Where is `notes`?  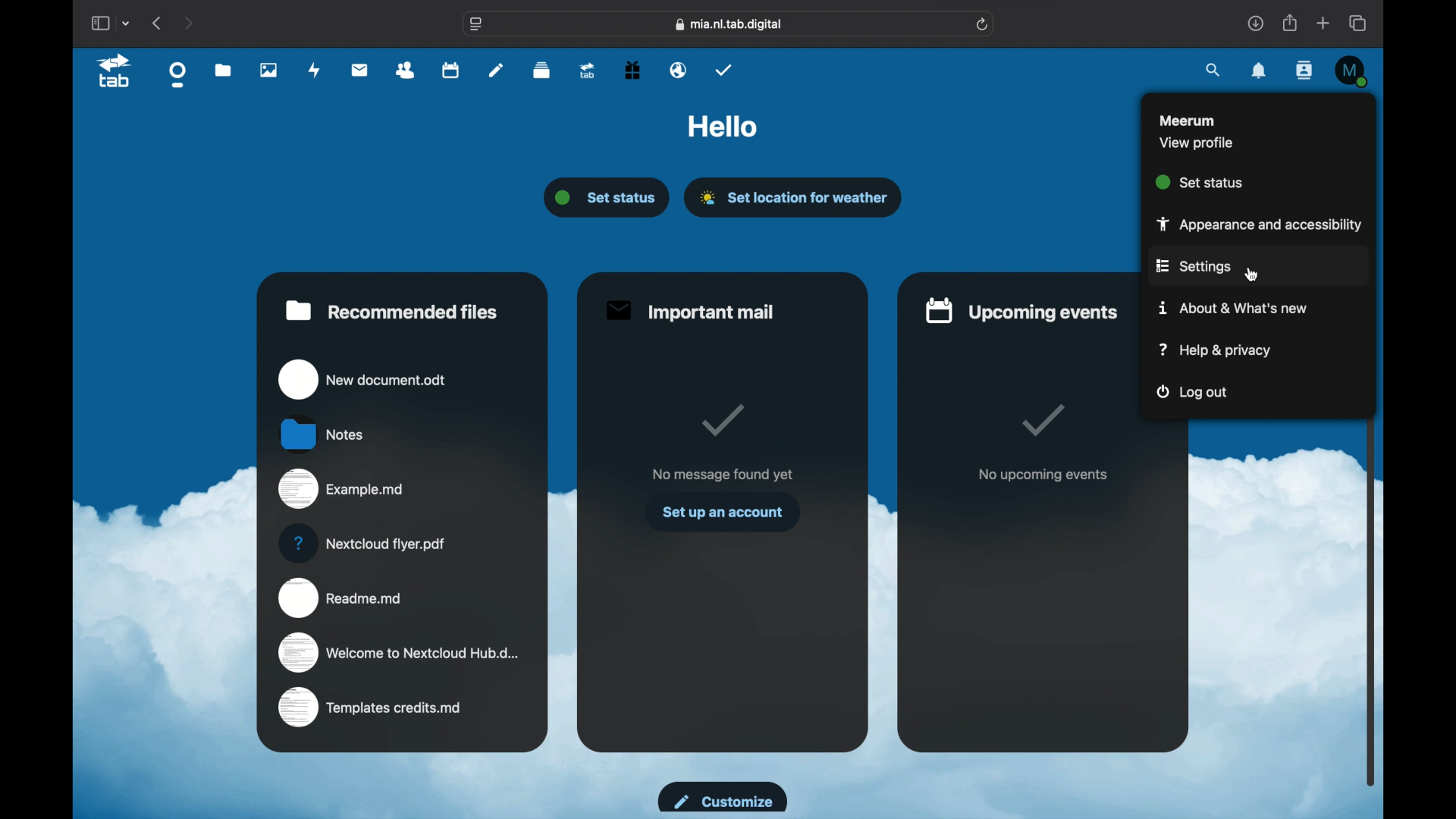
notes is located at coordinates (496, 70).